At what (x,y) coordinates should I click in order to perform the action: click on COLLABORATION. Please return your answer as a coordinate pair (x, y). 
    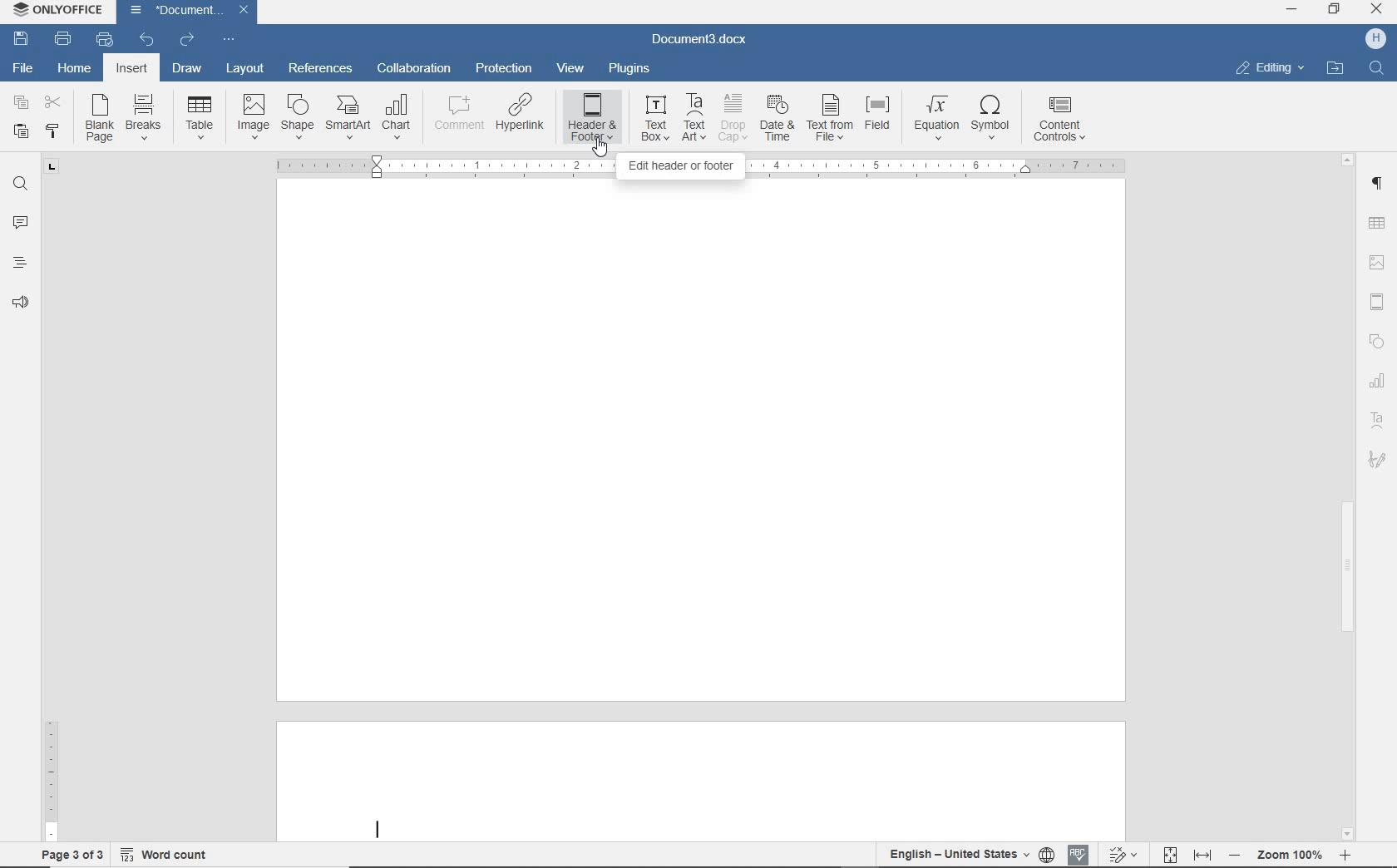
    Looking at the image, I should click on (414, 71).